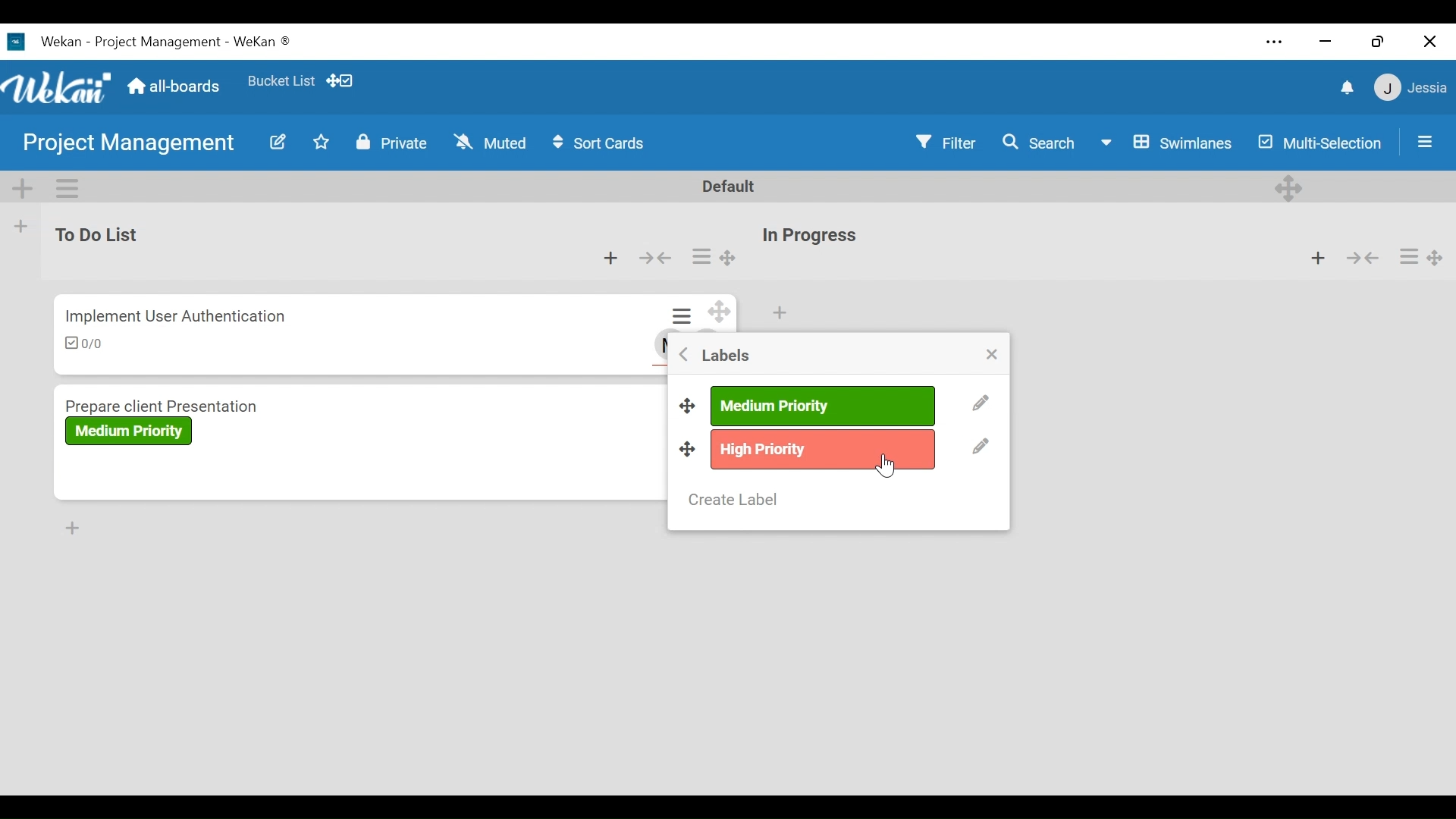 This screenshot has width=1456, height=819. Describe the element at coordinates (16, 42) in the screenshot. I see `Software logo` at that location.